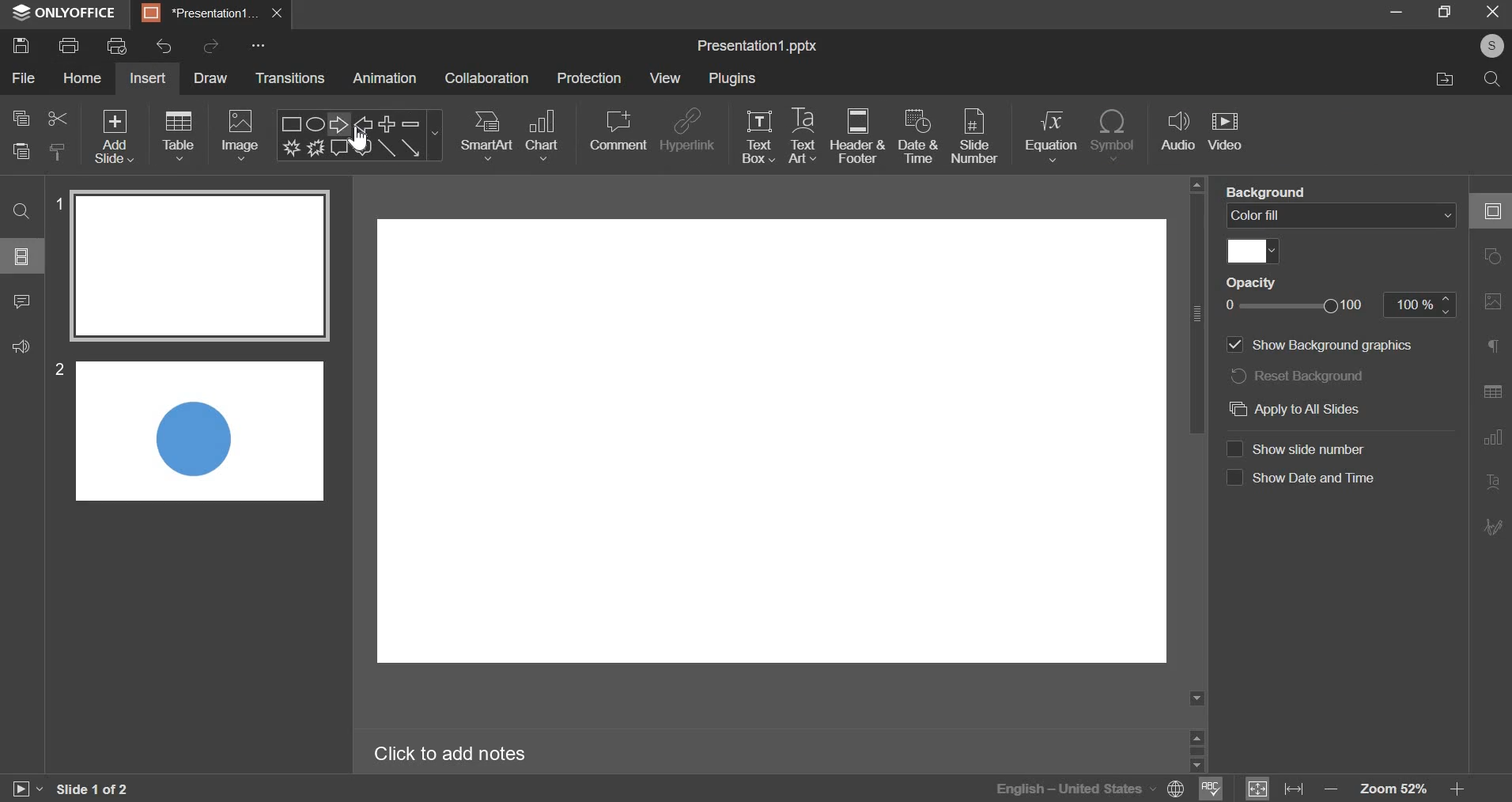 This screenshot has height=802, width=1512. I want to click on Explosion 2, so click(316, 147).